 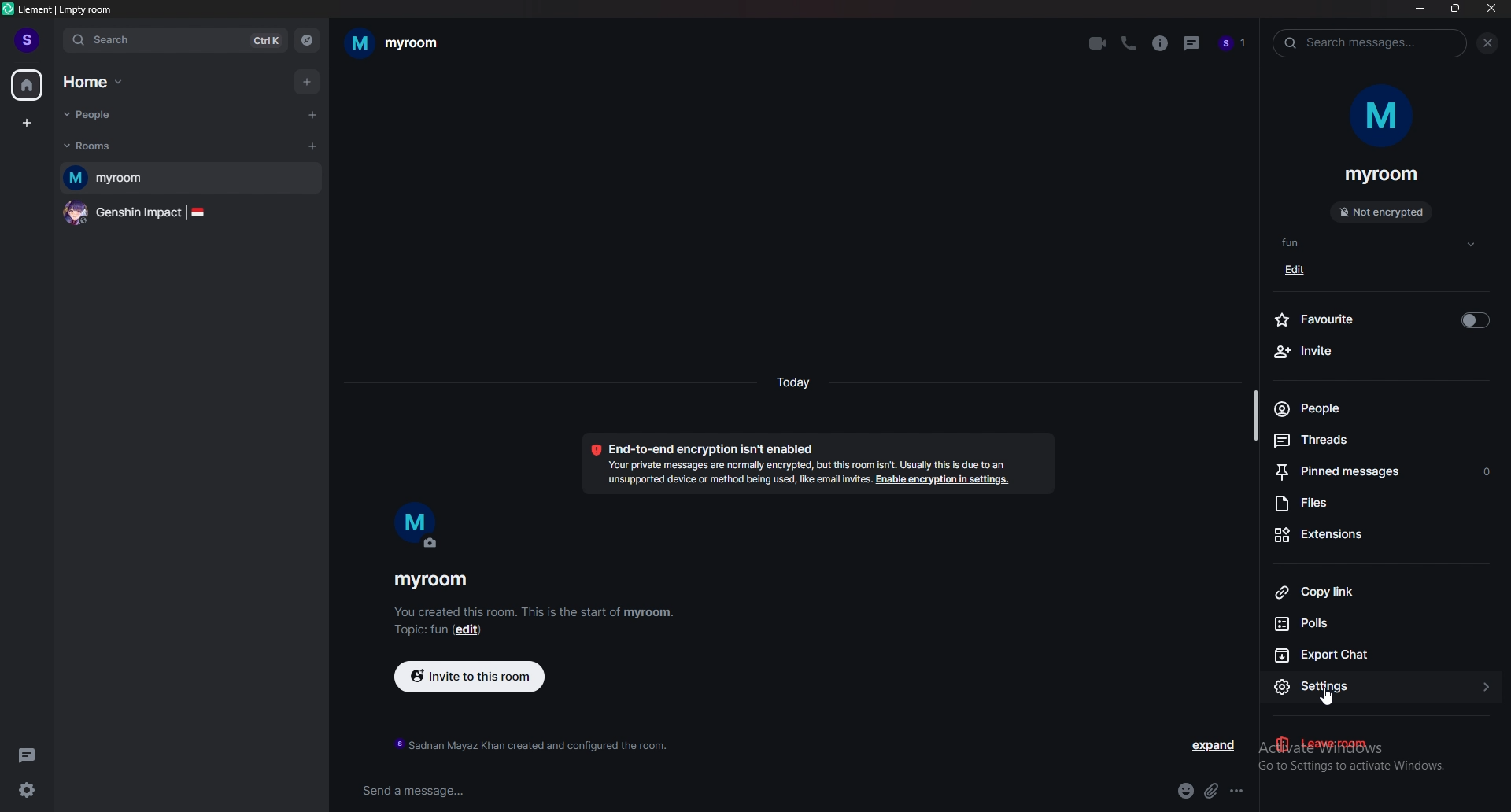 What do you see at coordinates (1211, 791) in the screenshot?
I see `attach` at bounding box center [1211, 791].